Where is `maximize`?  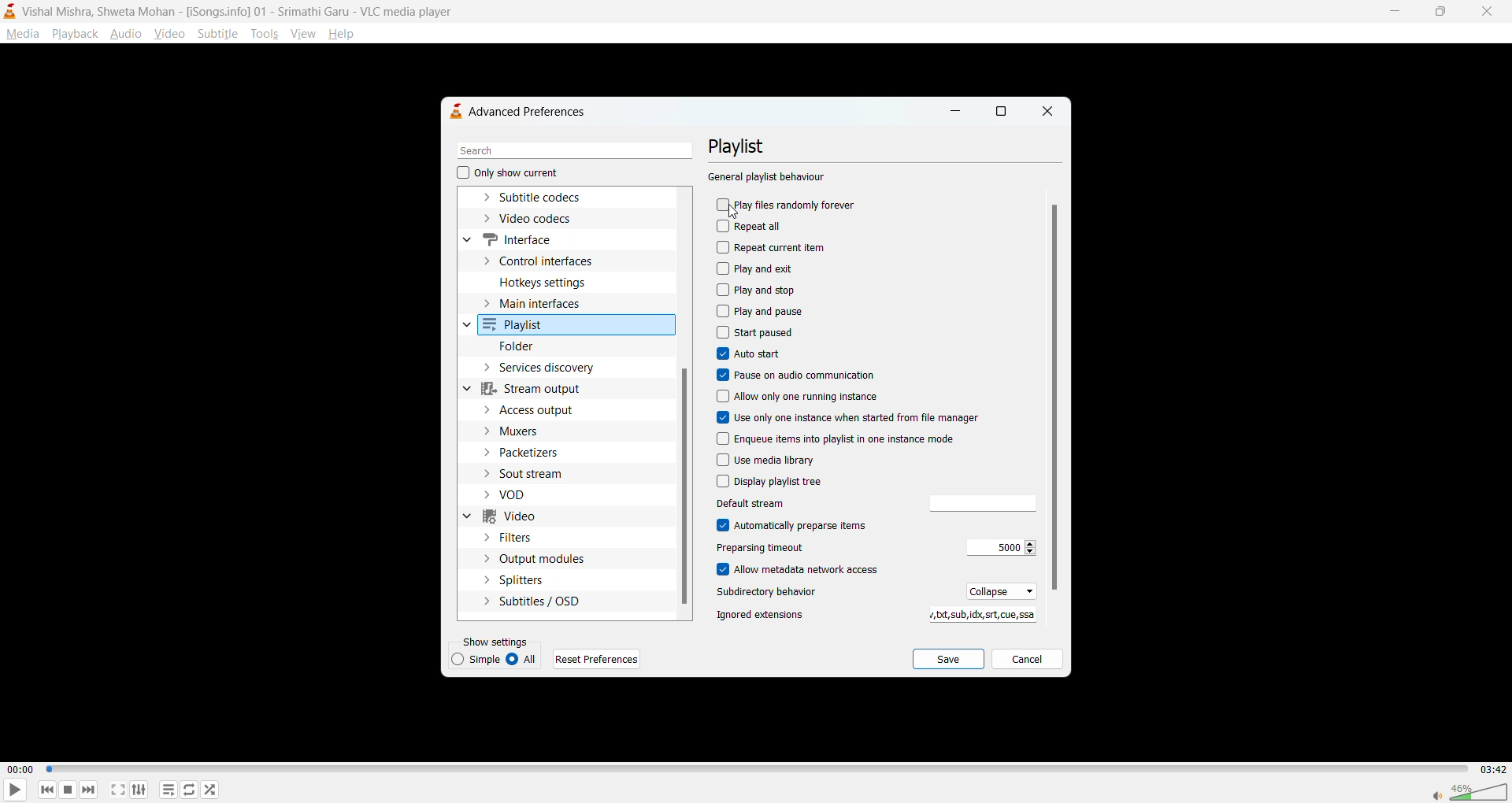
maximize is located at coordinates (1436, 13).